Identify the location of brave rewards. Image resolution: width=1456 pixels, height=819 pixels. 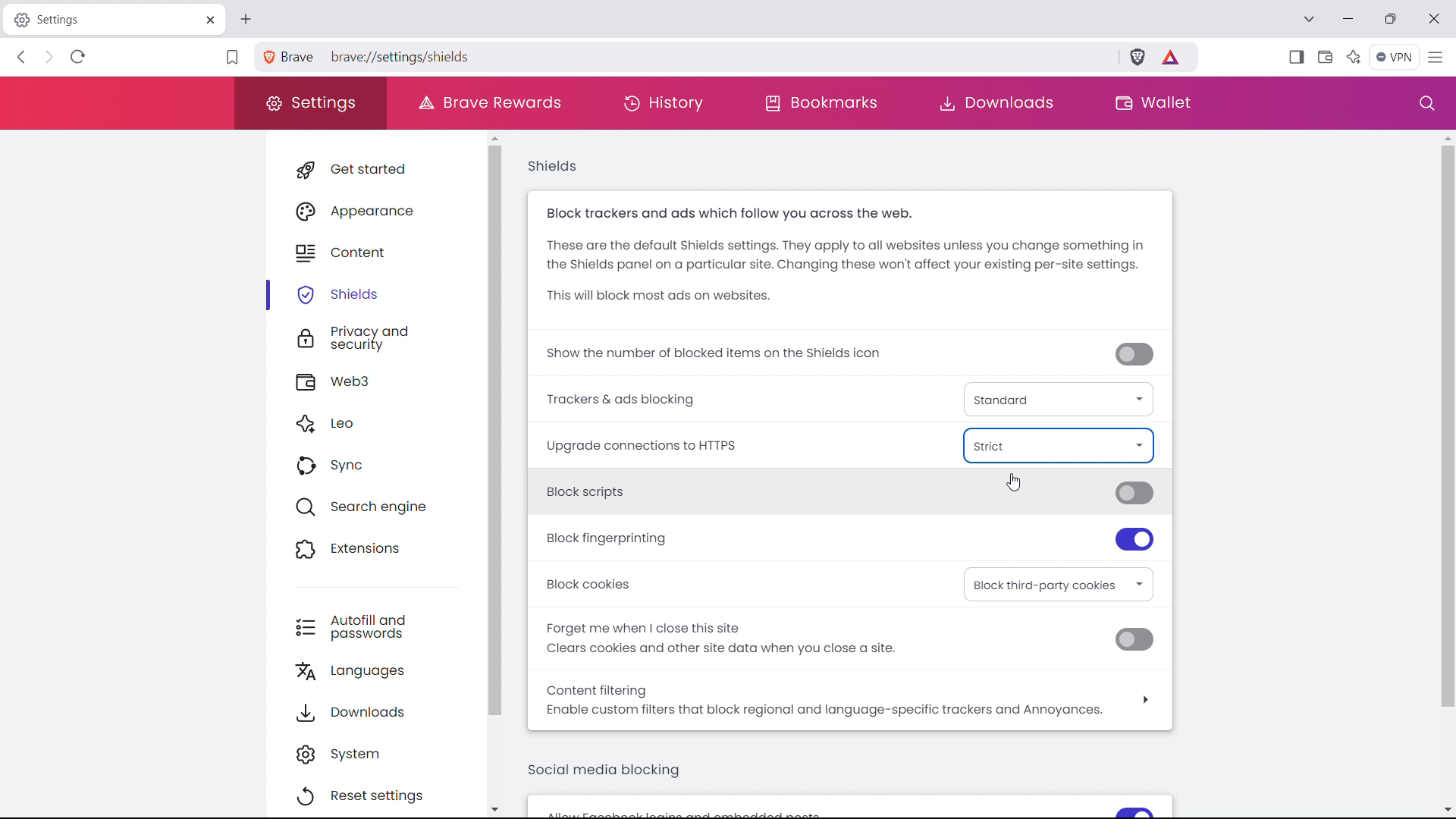
(1172, 56).